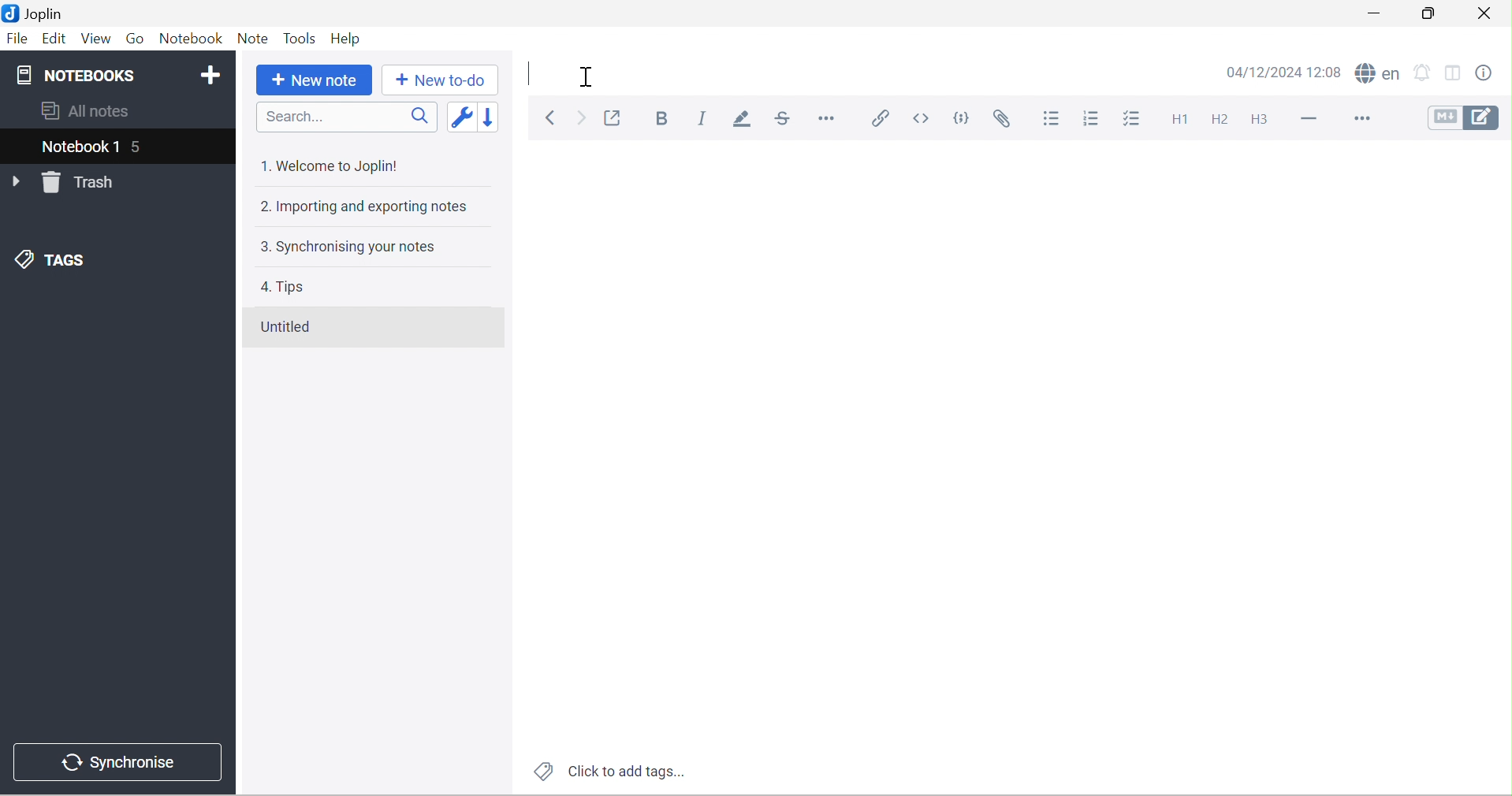  I want to click on Heading 1, so click(1178, 122).